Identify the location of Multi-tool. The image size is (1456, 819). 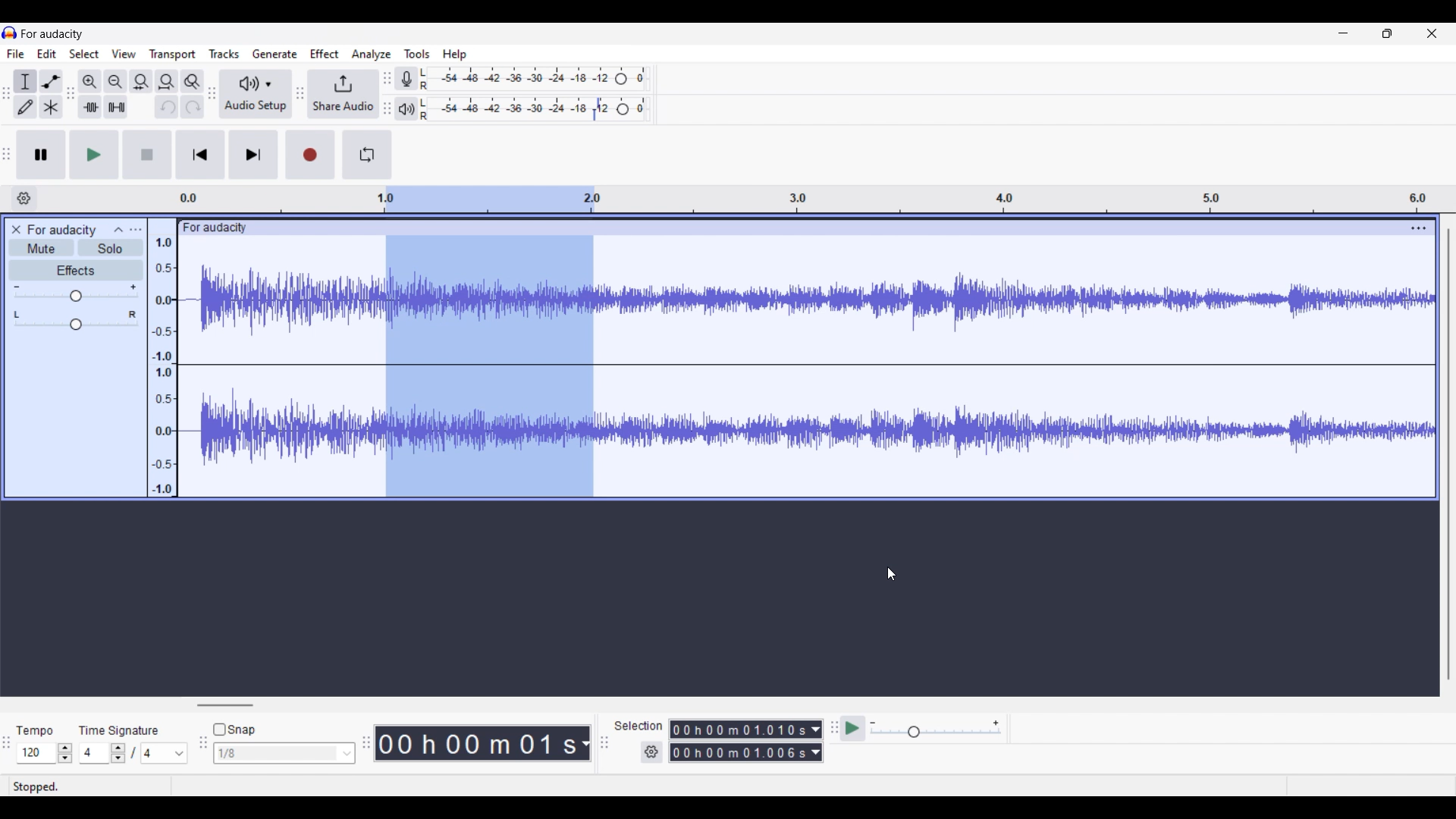
(50, 107).